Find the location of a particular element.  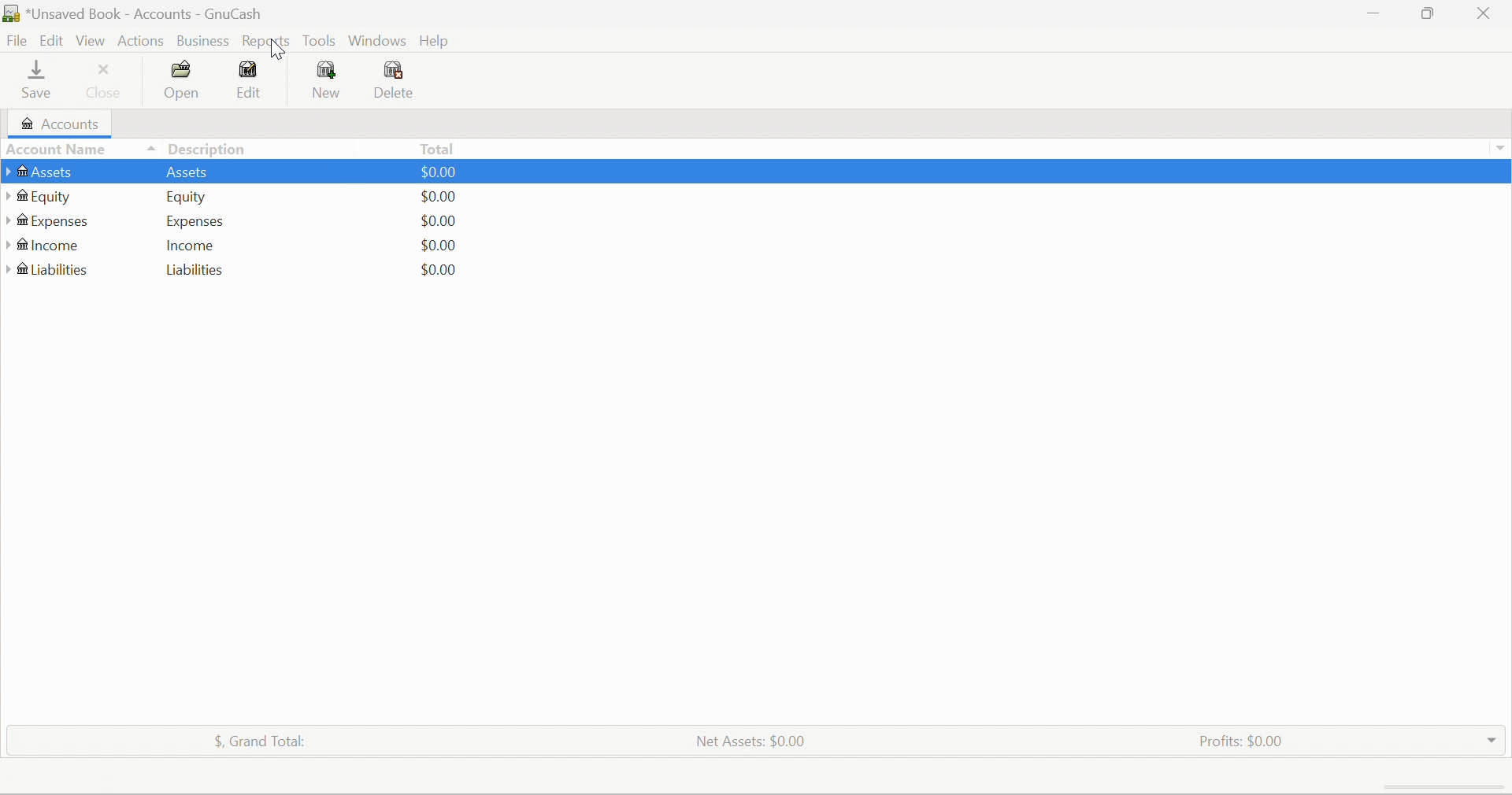

Edit is located at coordinates (250, 80).